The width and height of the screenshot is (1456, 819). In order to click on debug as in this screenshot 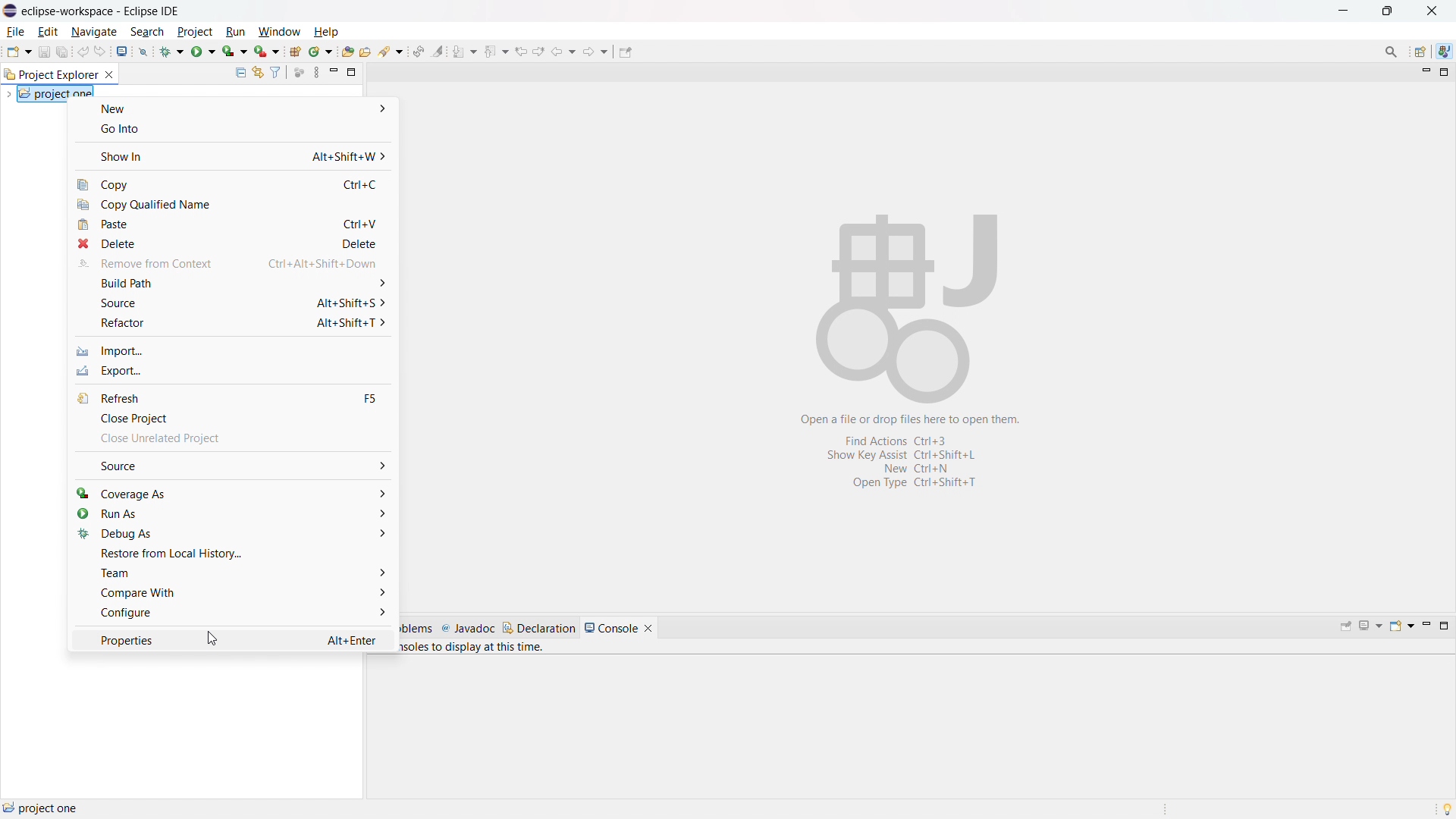, I will do `click(231, 533)`.